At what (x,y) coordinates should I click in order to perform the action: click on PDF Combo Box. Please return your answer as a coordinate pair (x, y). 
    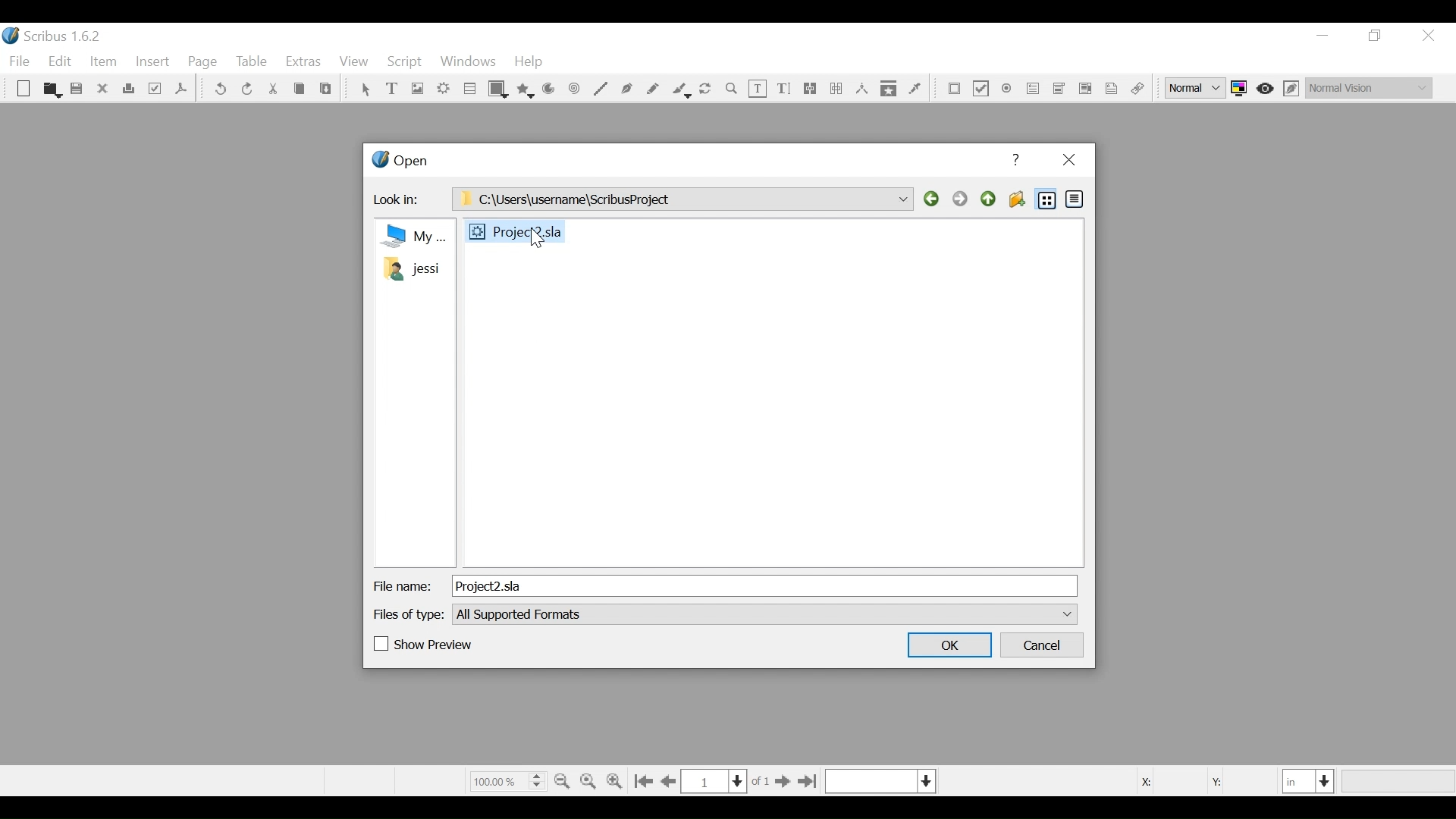
    Looking at the image, I should click on (1034, 90).